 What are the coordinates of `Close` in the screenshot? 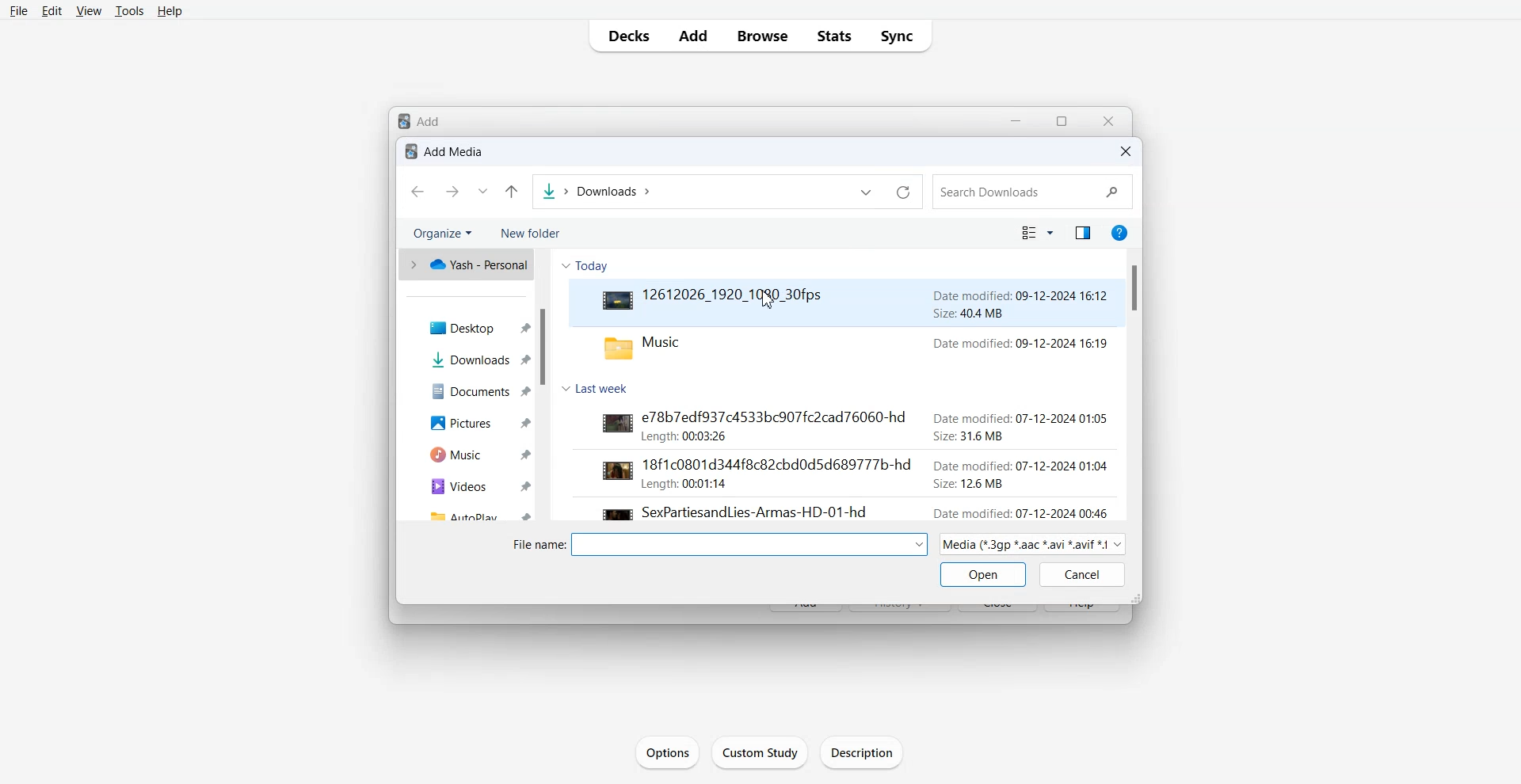 It's located at (1107, 120).